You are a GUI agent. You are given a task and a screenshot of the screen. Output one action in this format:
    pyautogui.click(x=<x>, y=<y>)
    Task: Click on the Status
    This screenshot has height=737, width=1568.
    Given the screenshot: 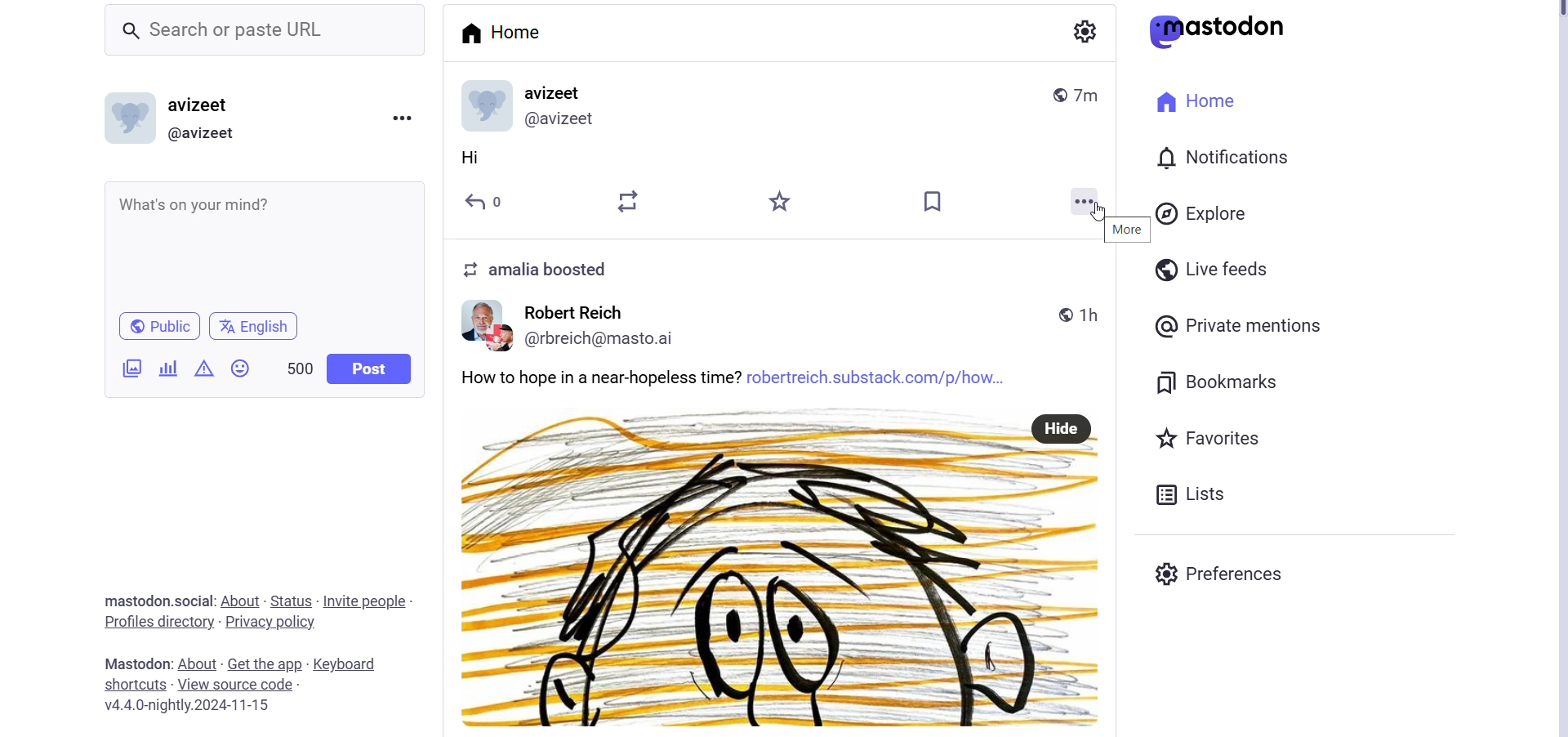 What is the action you would take?
    pyautogui.click(x=292, y=602)
    